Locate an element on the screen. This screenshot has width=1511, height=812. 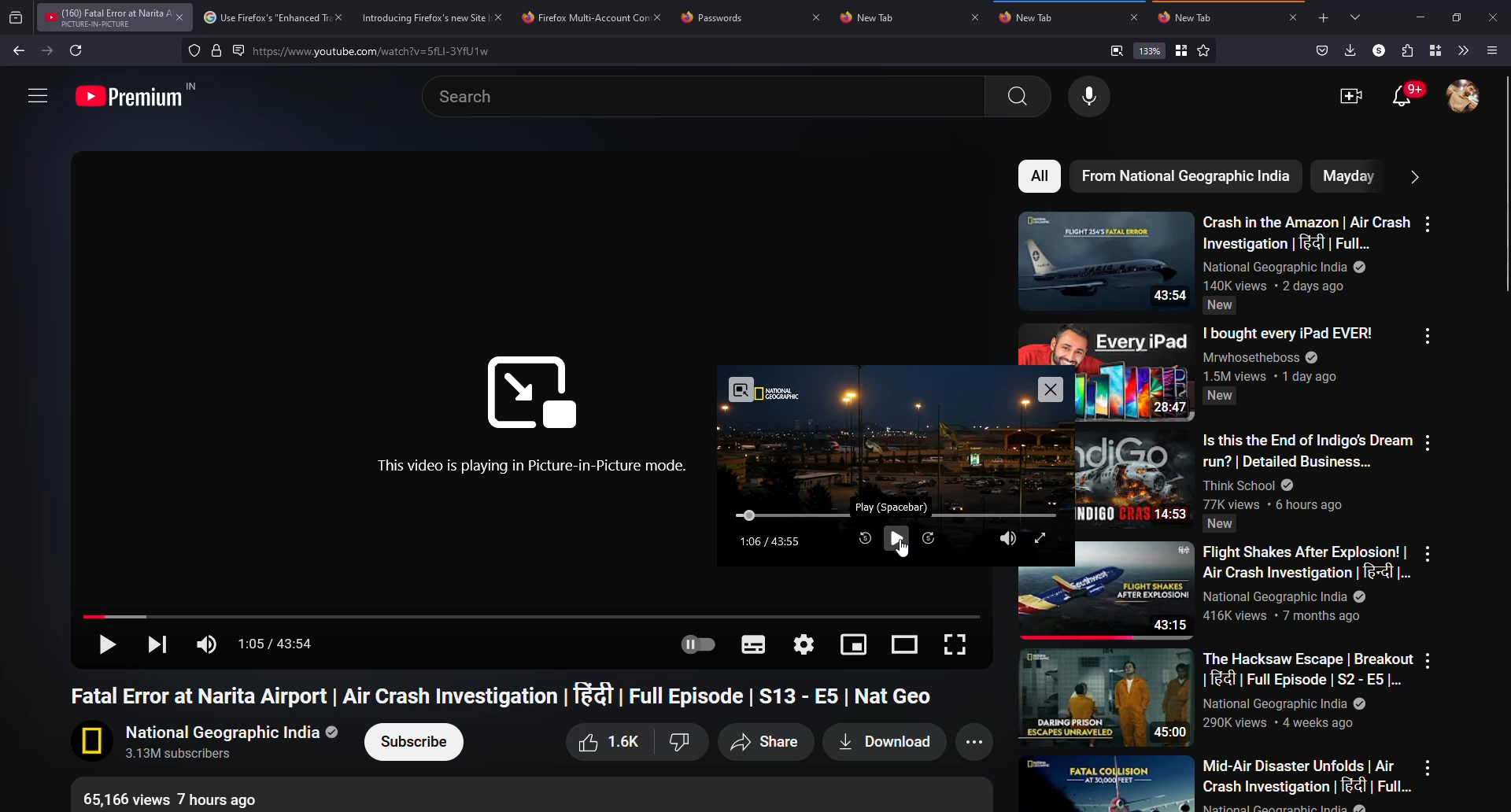
like is located at coordinates (606, 743).